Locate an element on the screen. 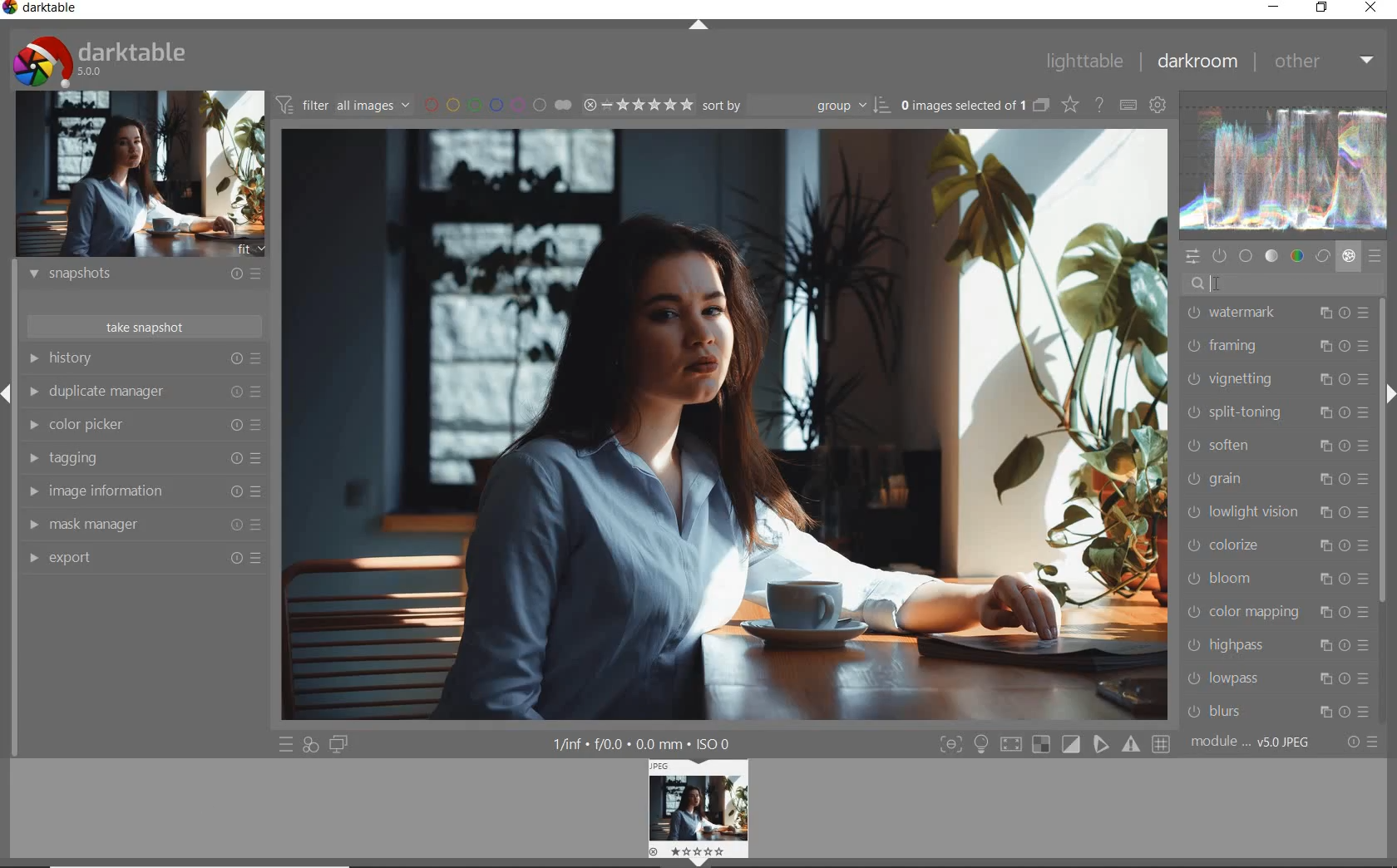 Image resolution: width=1397 pixels, height=868 pixels. vignetting is located at coordinates (1276, 379).